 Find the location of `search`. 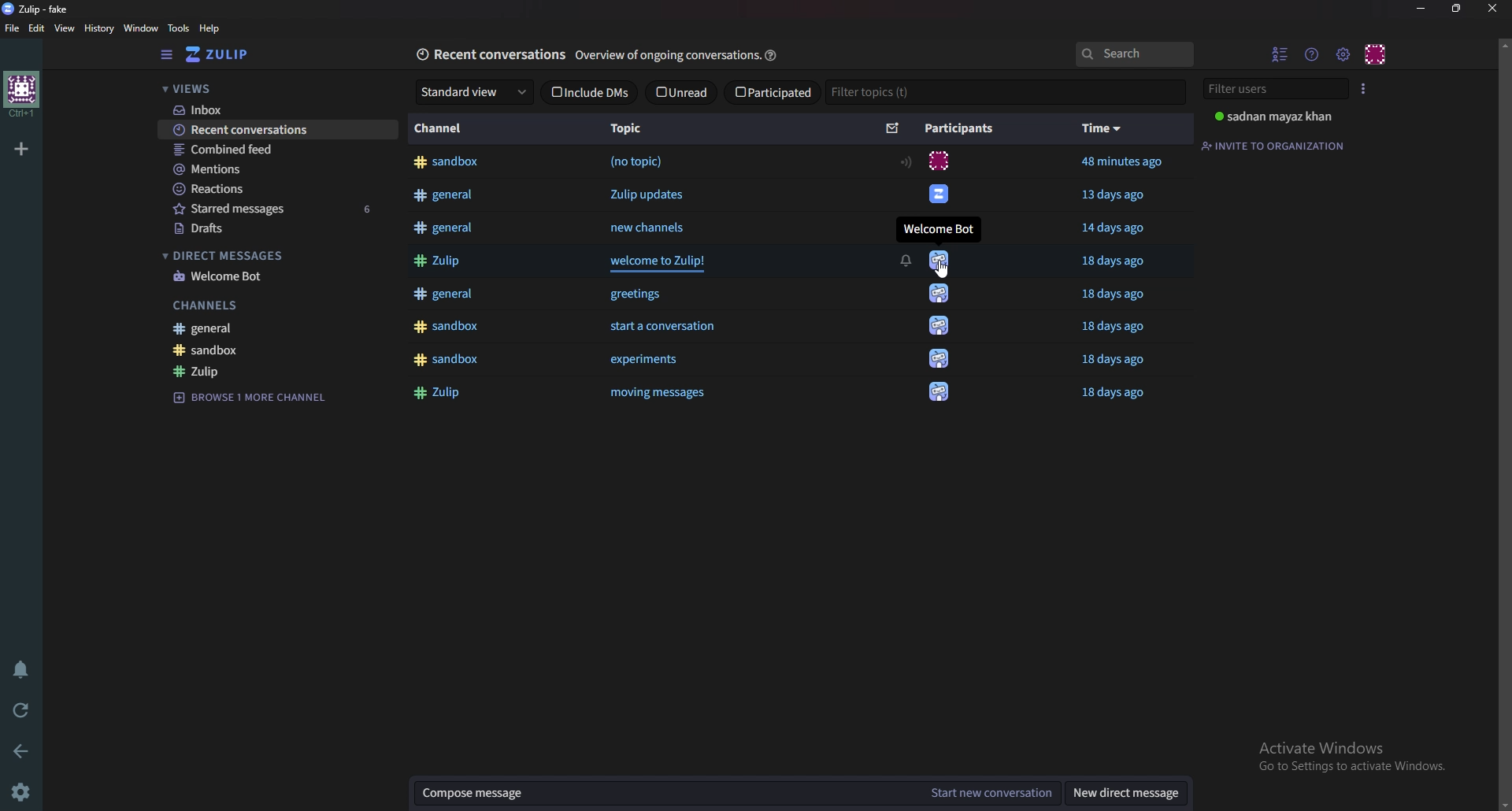

search is located at coordinates (1136, 55).